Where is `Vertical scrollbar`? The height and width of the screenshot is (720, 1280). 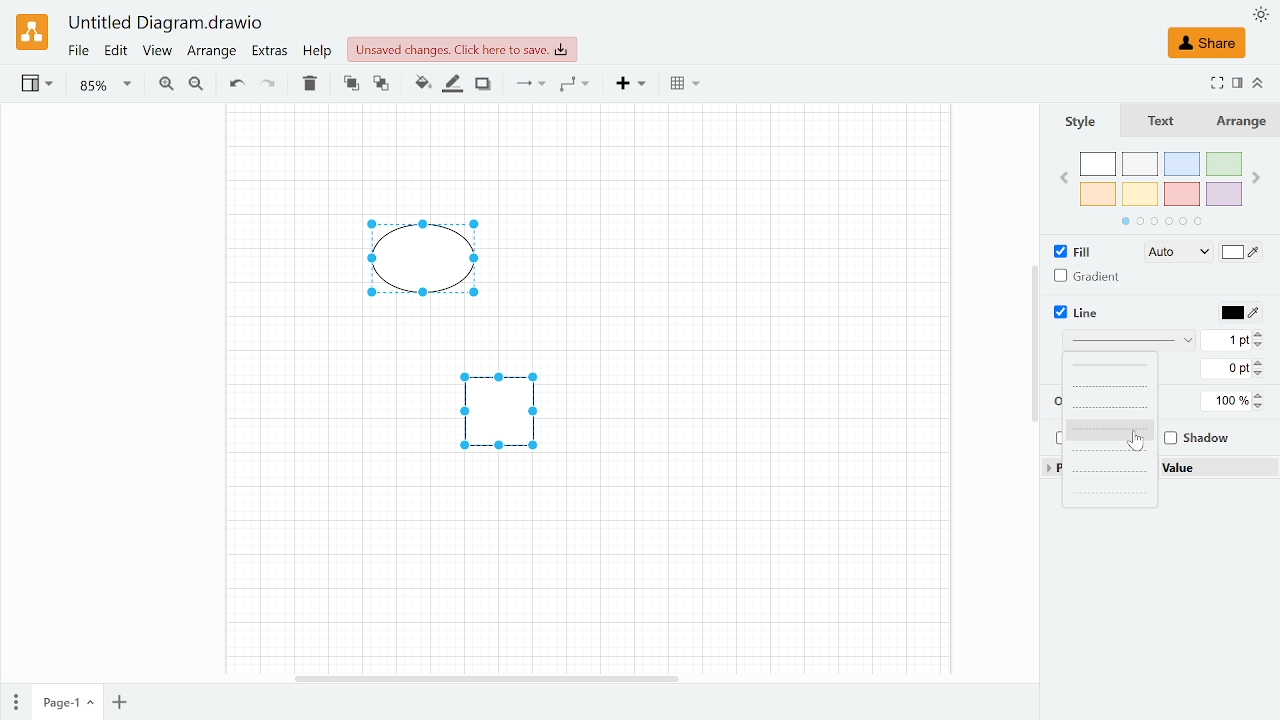
Vertical scrollbar is located at coordinates (1034, 343).